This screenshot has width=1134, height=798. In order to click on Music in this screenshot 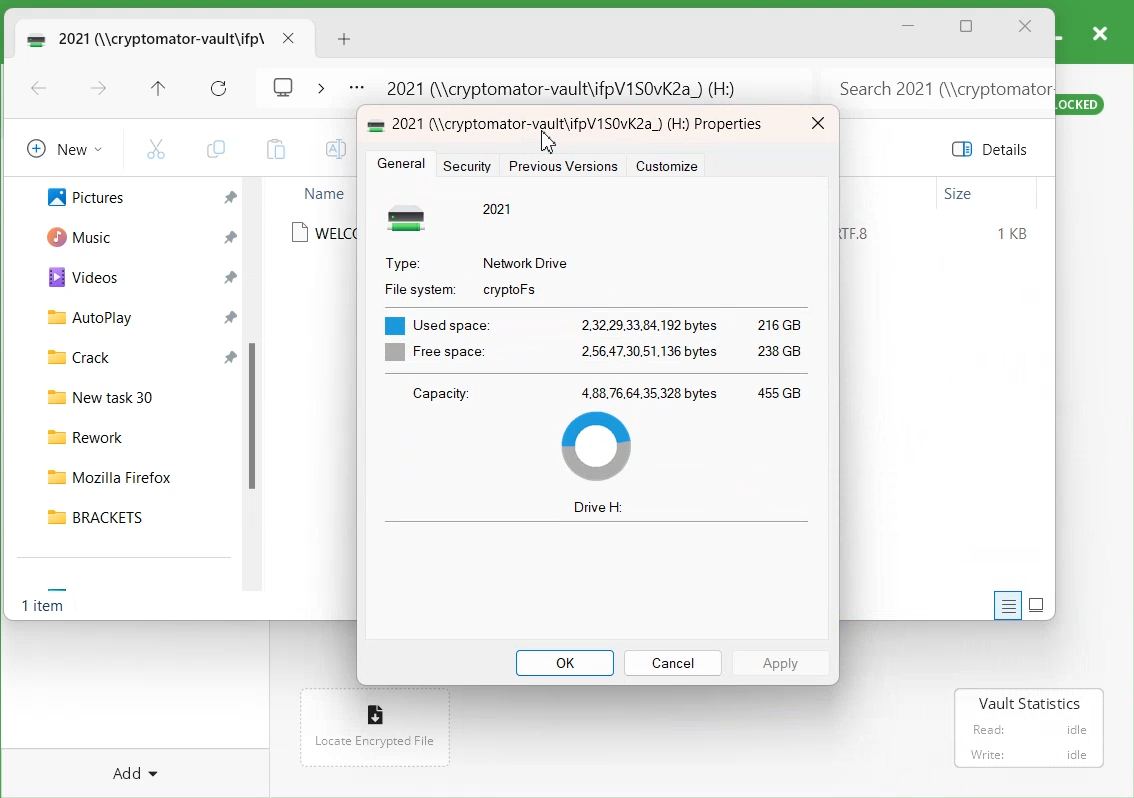, I will do `click(72, 235)`.